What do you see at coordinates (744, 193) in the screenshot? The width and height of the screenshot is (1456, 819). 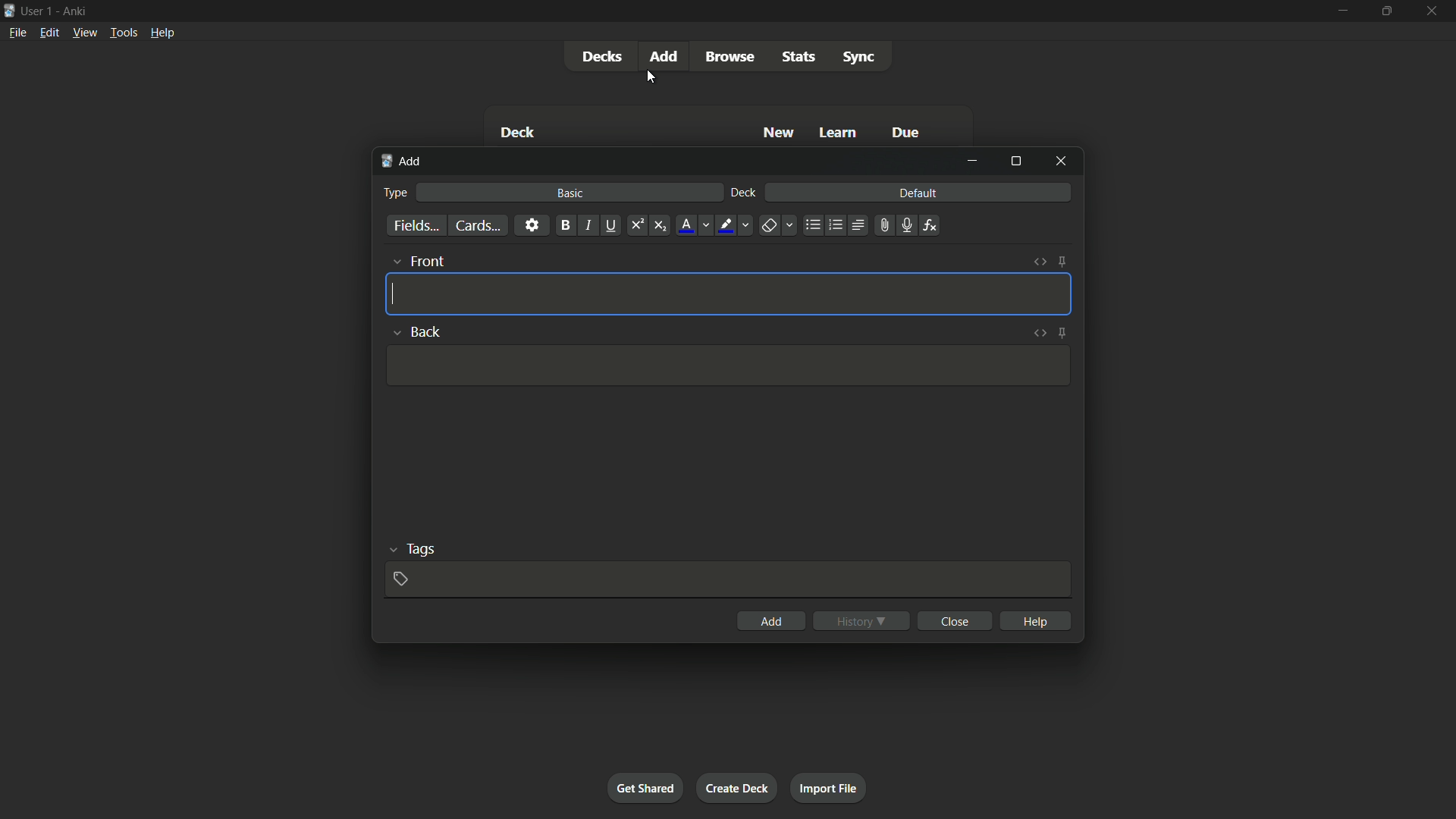 I see `deck` at bounding box center [744, 193].